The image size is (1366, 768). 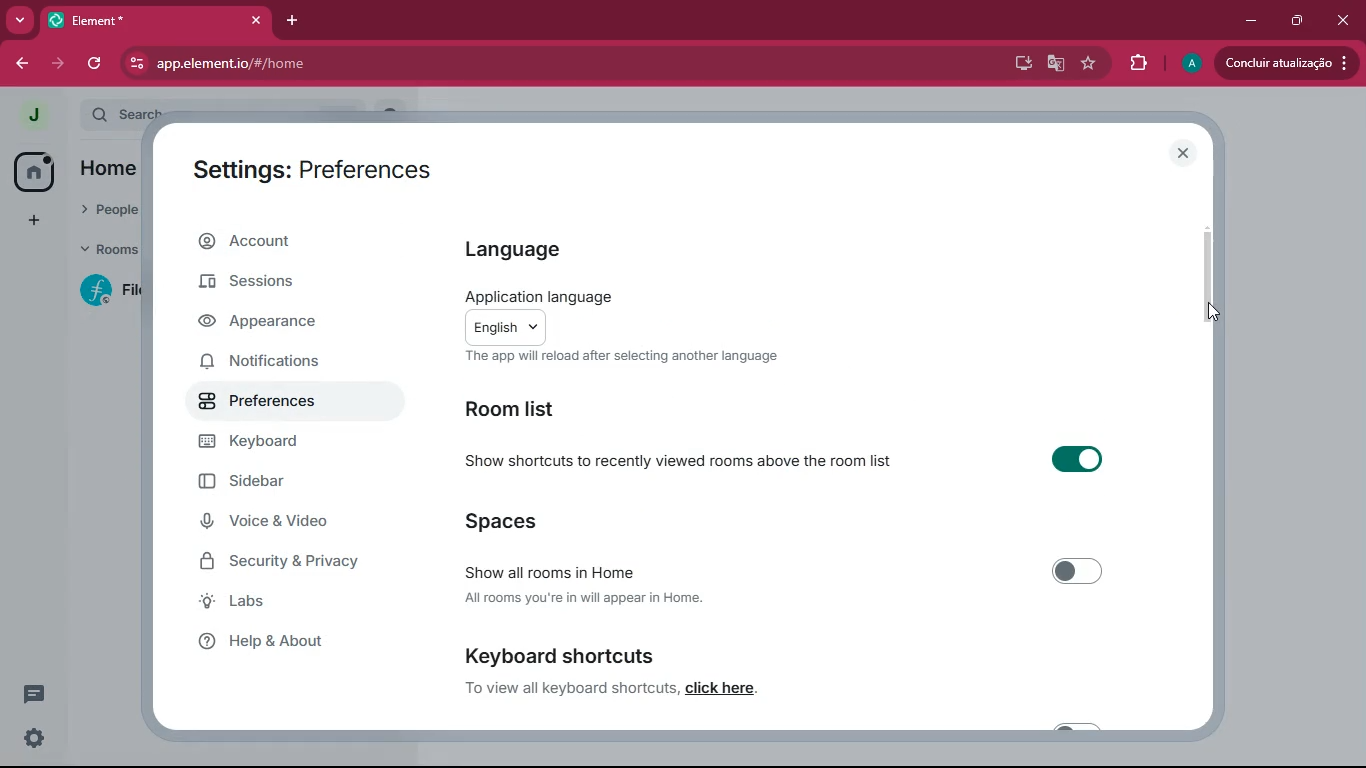 I want to click on sessions, so click(x=284, y=284).